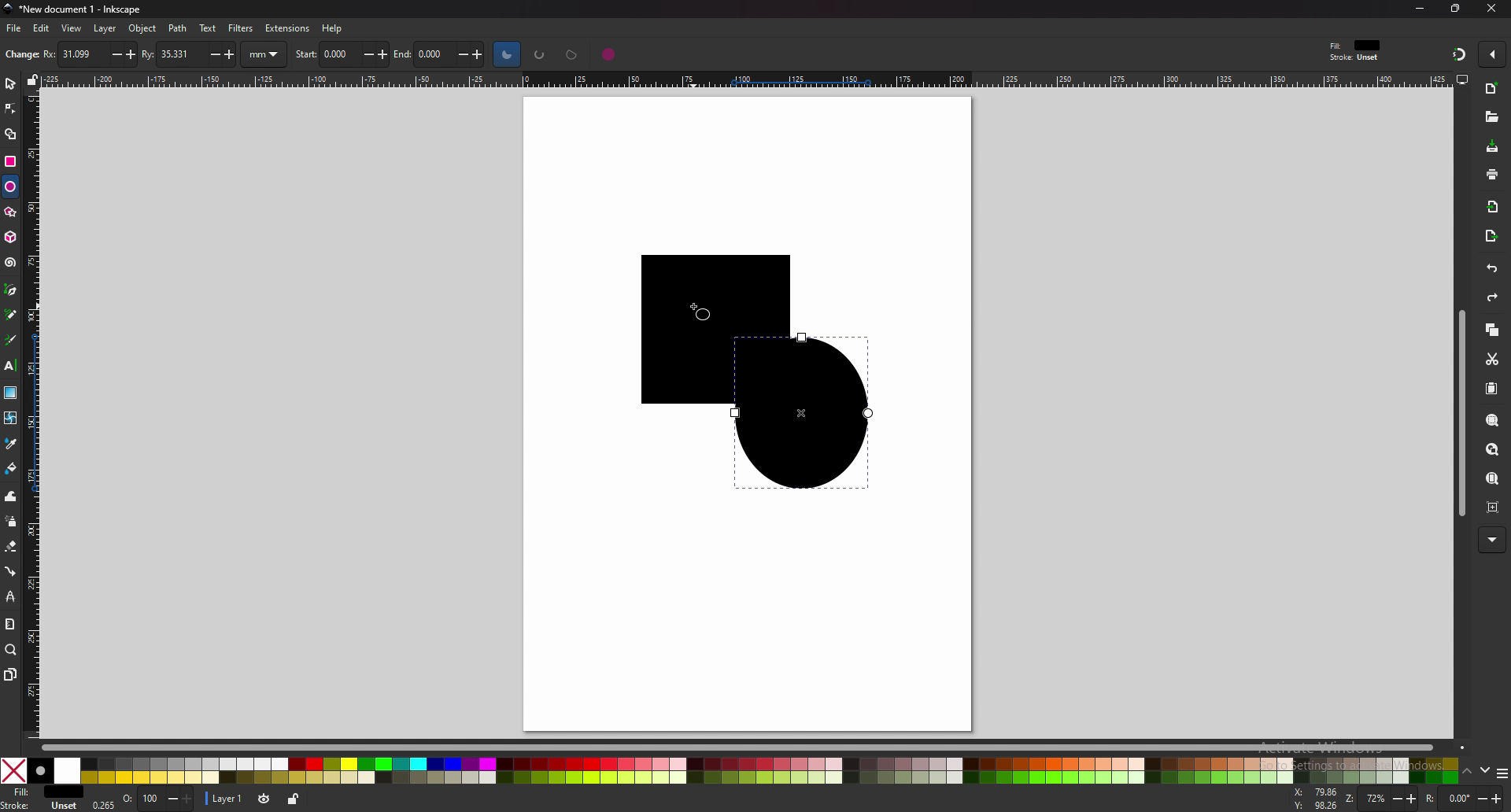 The width and height of the screenshot is (1511, 812). Describe the element at coordinates (609, 54) in the screenshot. I see `whole ellipse` at that location.